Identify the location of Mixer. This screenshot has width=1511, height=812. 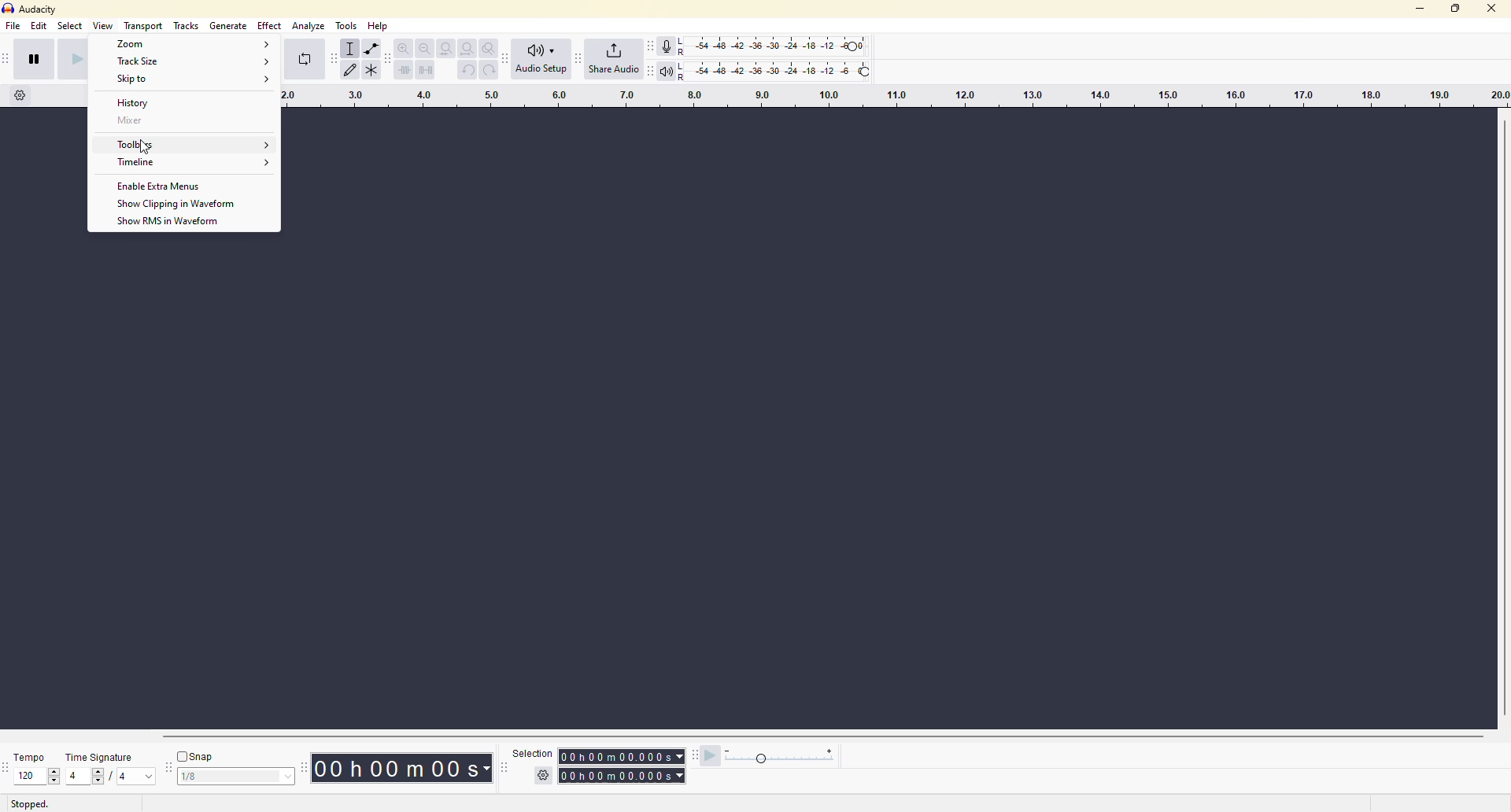
(167, 123).